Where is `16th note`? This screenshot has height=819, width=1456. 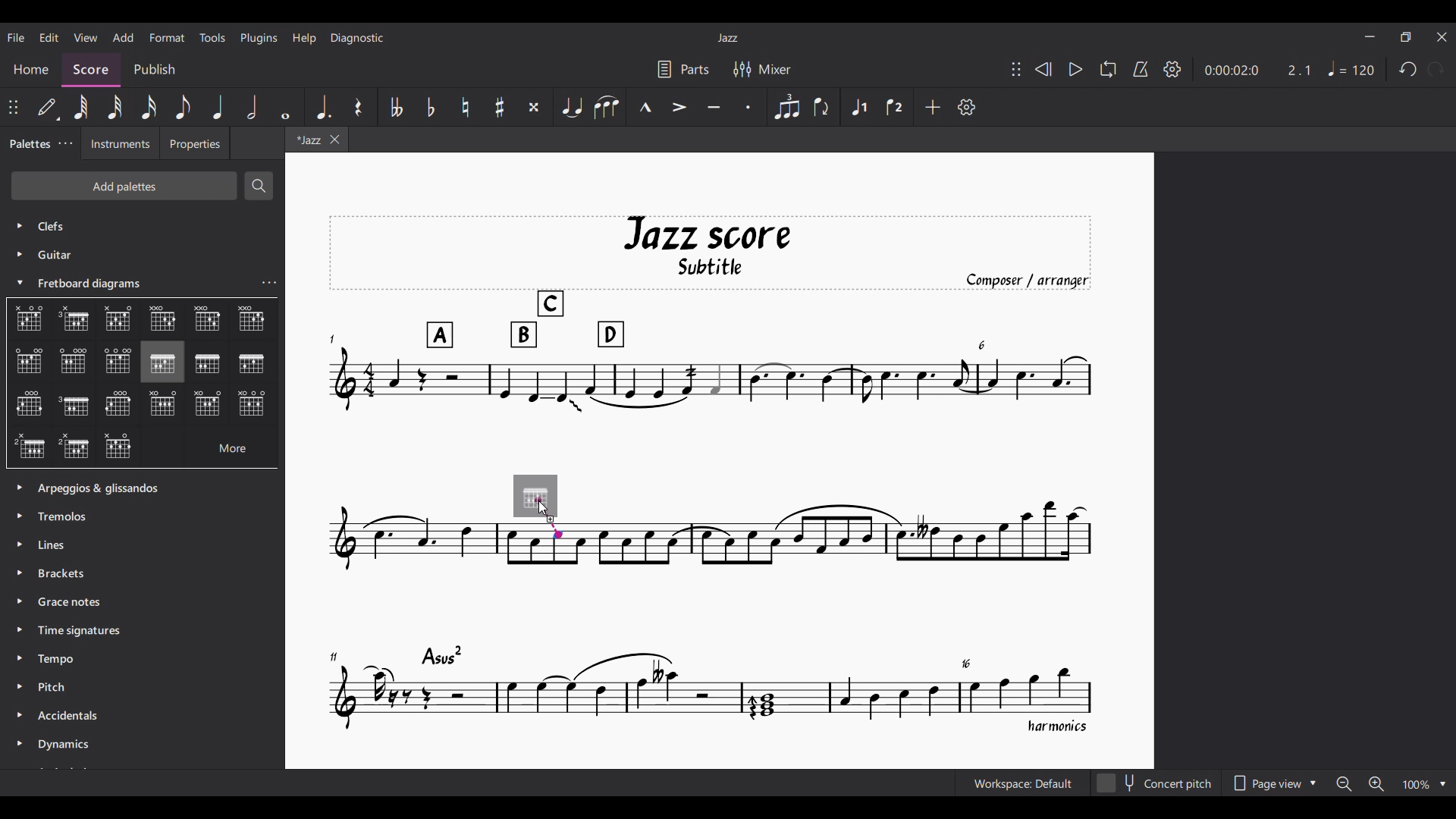
16th note is located at coordinates (149, 107).